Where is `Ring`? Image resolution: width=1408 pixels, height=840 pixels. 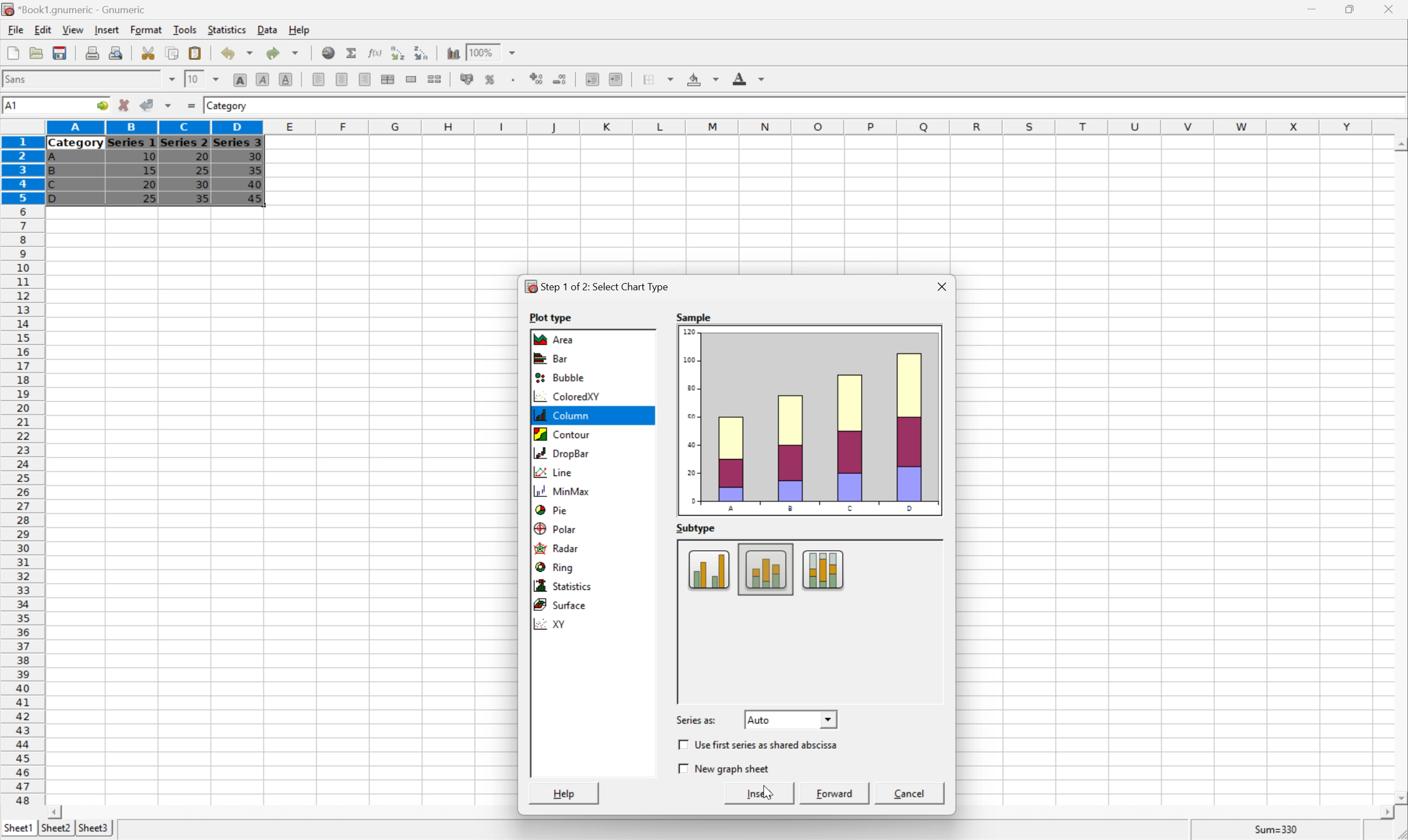
Ring is located at coordinates (558, 568).